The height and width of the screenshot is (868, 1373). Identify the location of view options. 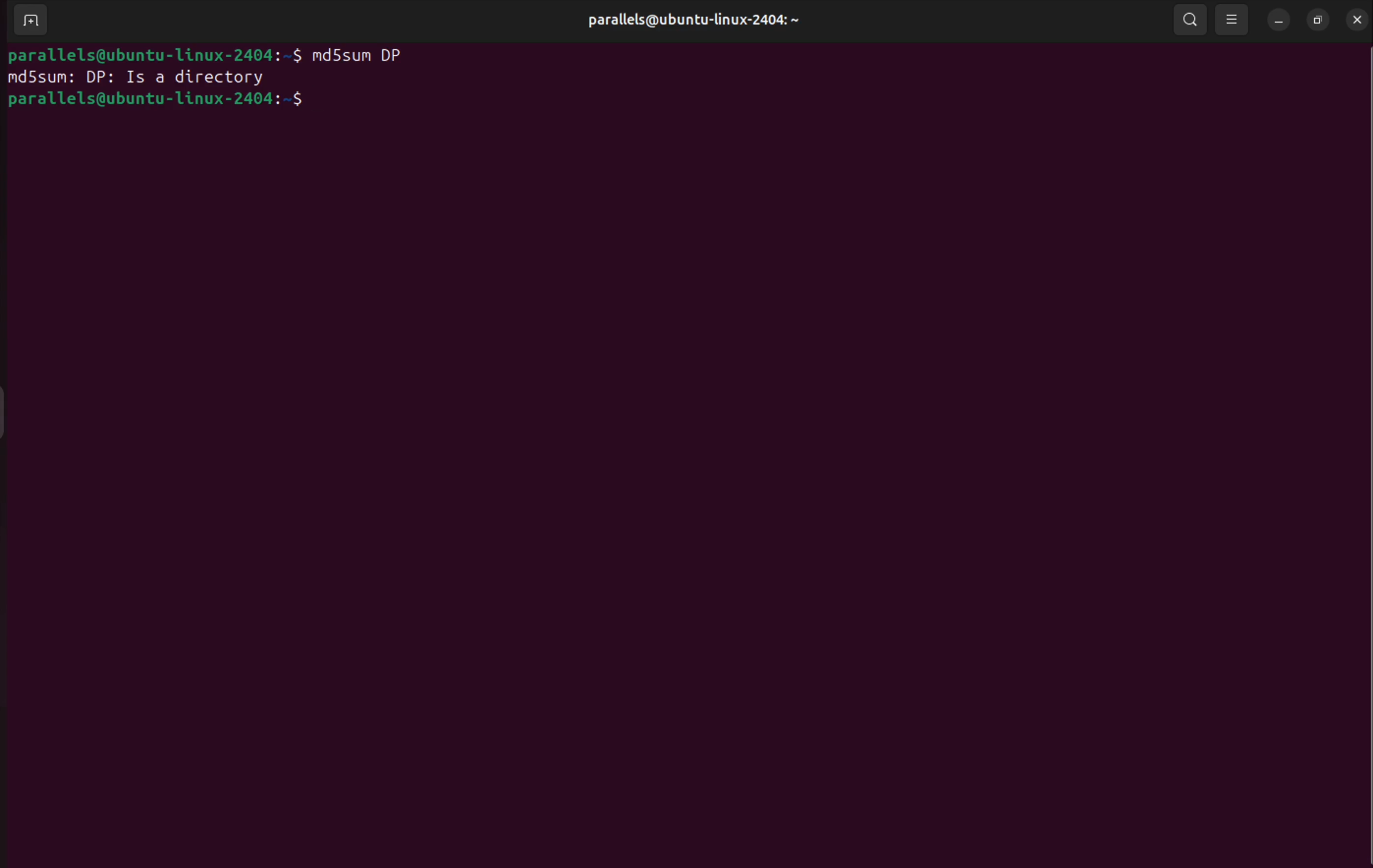
(1233, 19).